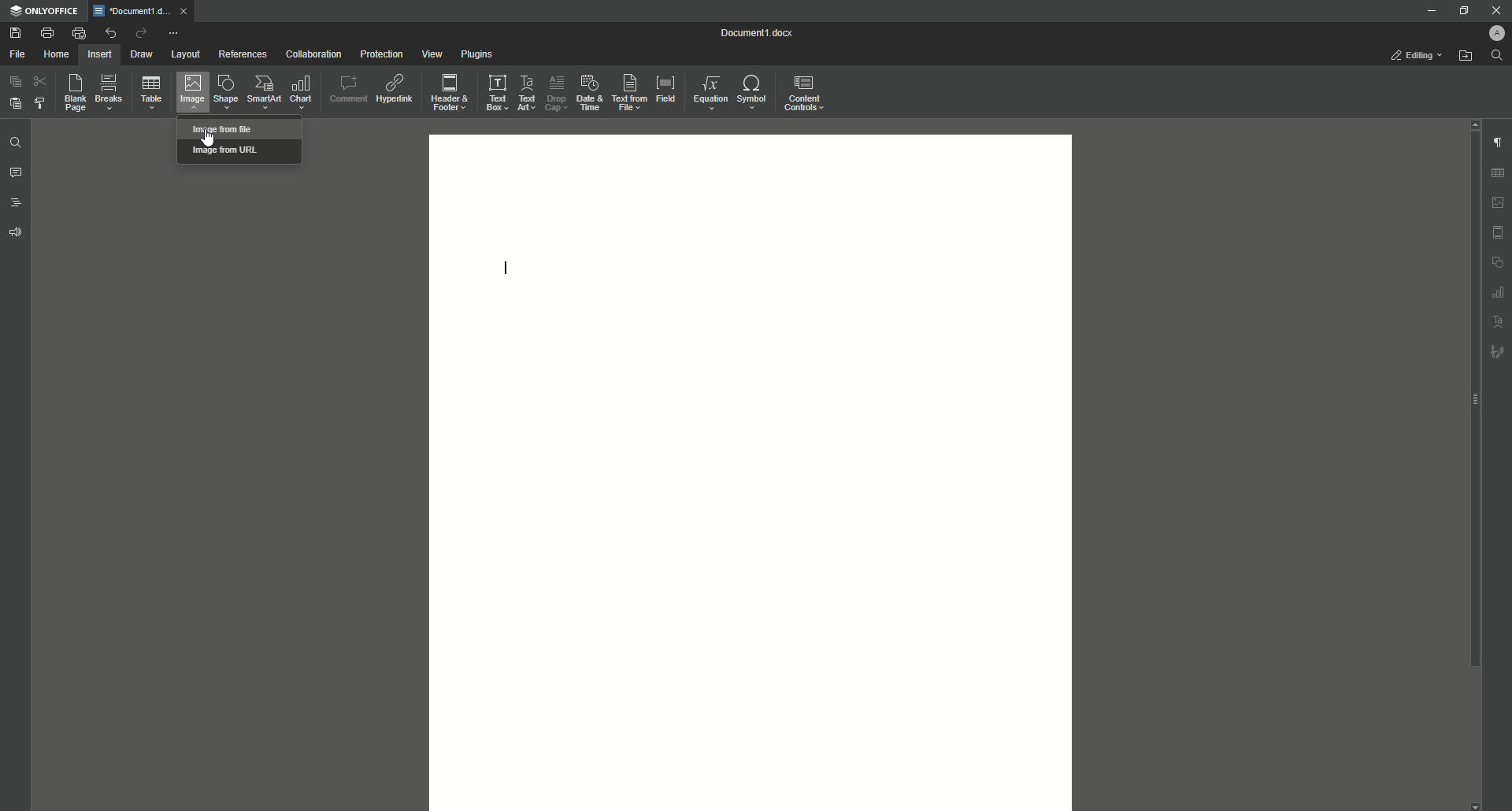 This screenshot has height=811, width=1512. I want to click on Open From File, so click(1464, 57).